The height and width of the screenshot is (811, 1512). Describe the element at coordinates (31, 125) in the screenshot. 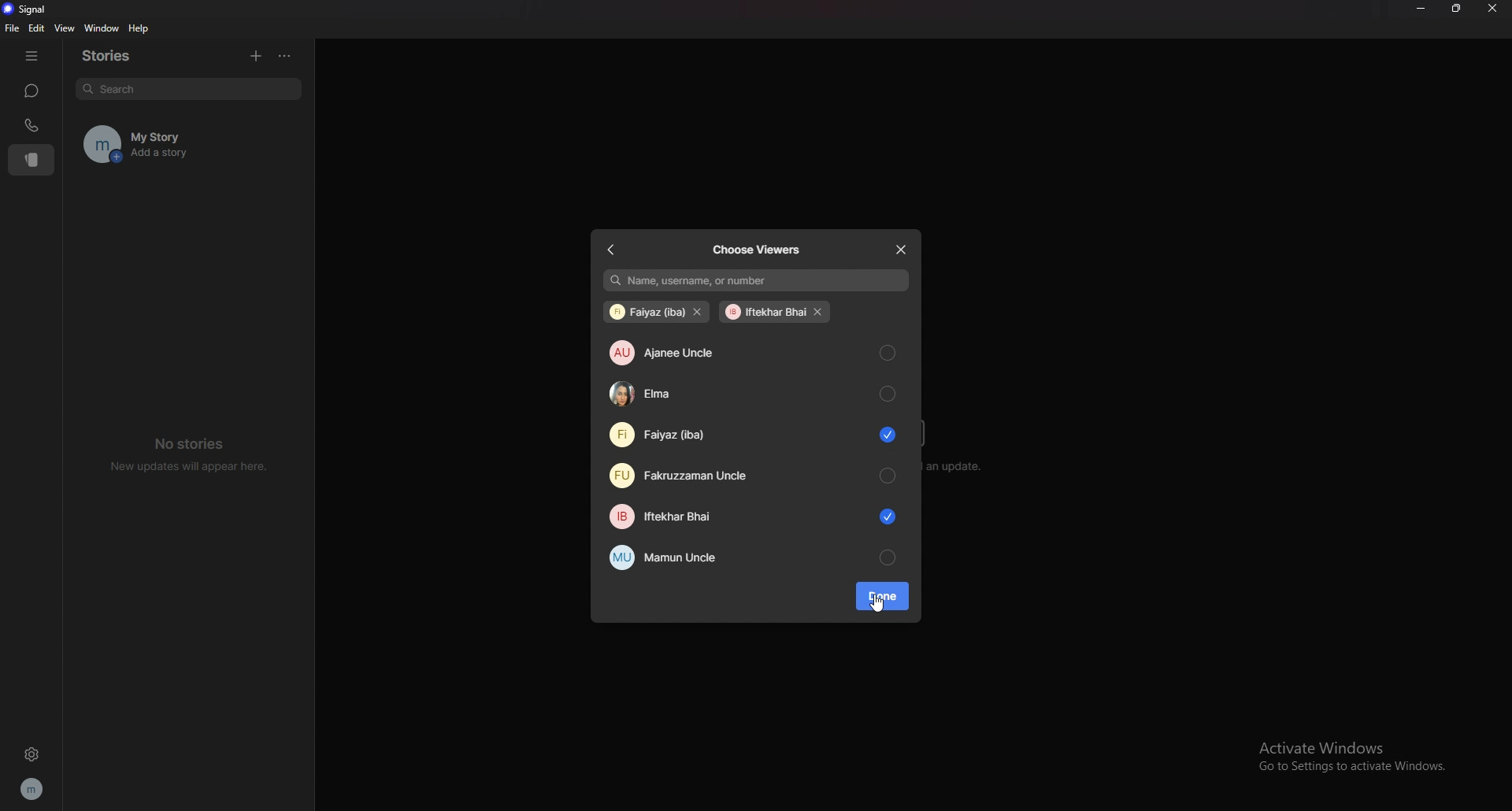

I see `calls` at that location.